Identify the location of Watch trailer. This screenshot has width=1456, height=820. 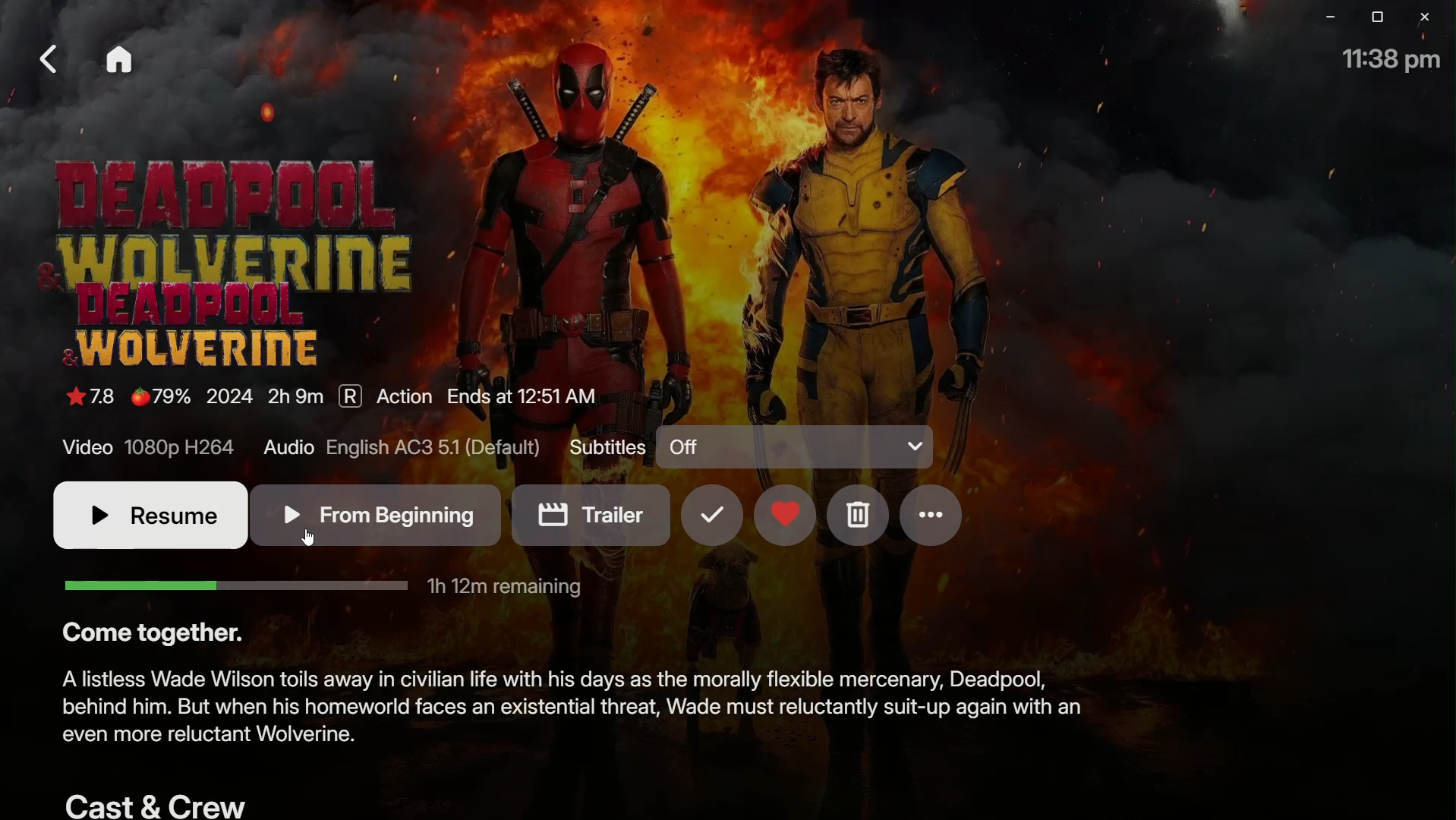
(588, 513).